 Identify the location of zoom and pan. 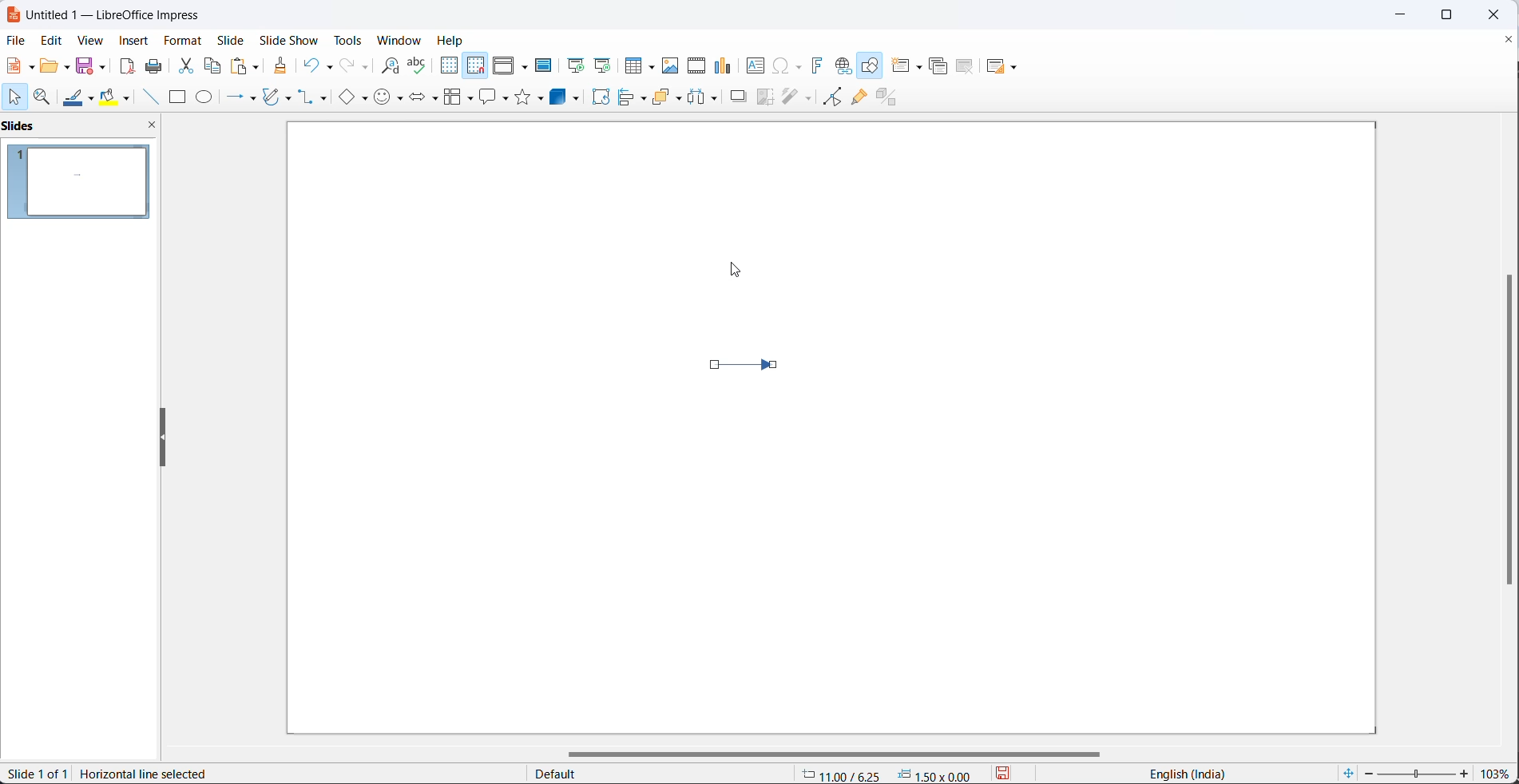
(43, 97).